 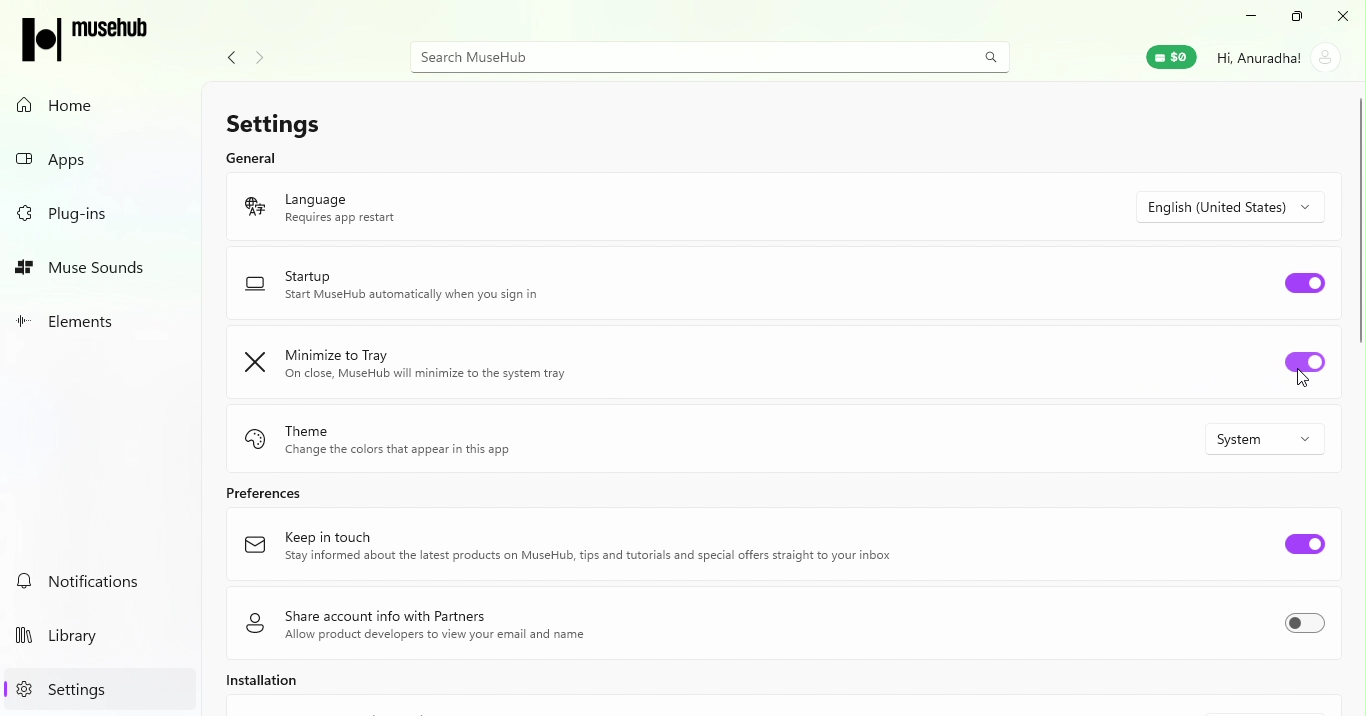 I want to click on Language, so click(x=404, y=213).